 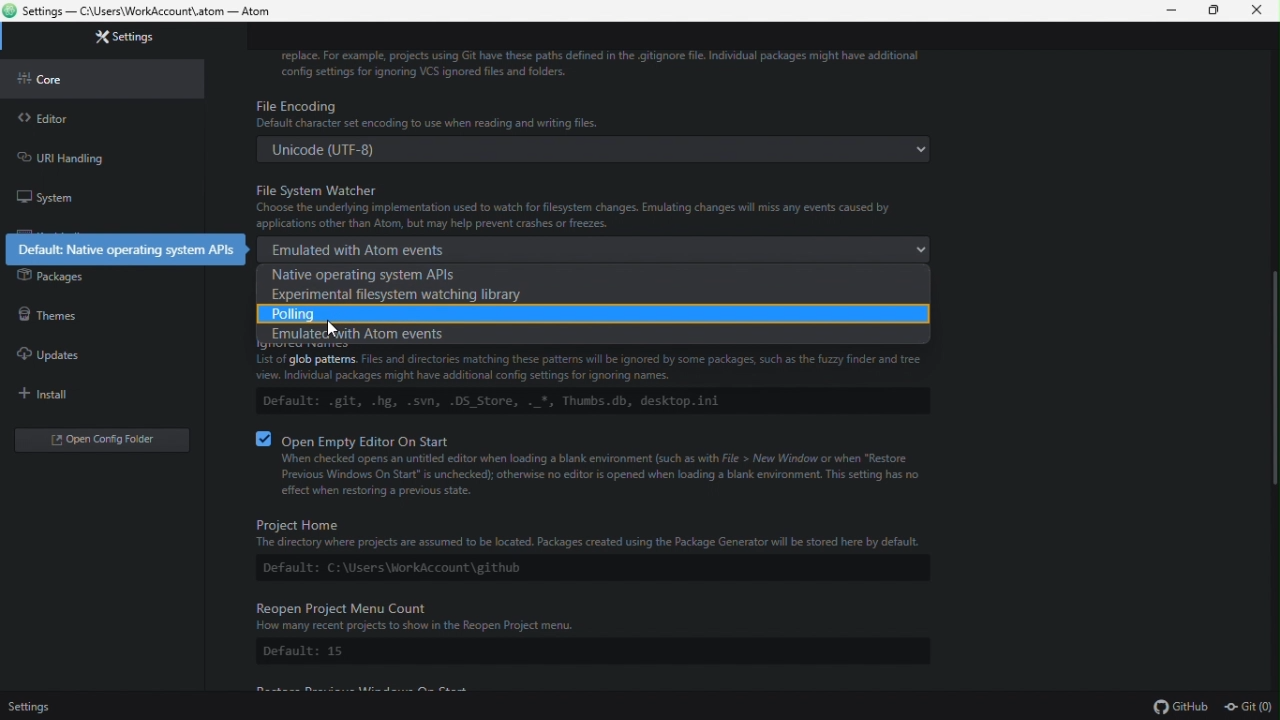 I want to click on Unicode (UTF-8), so click(x=598, y=150).